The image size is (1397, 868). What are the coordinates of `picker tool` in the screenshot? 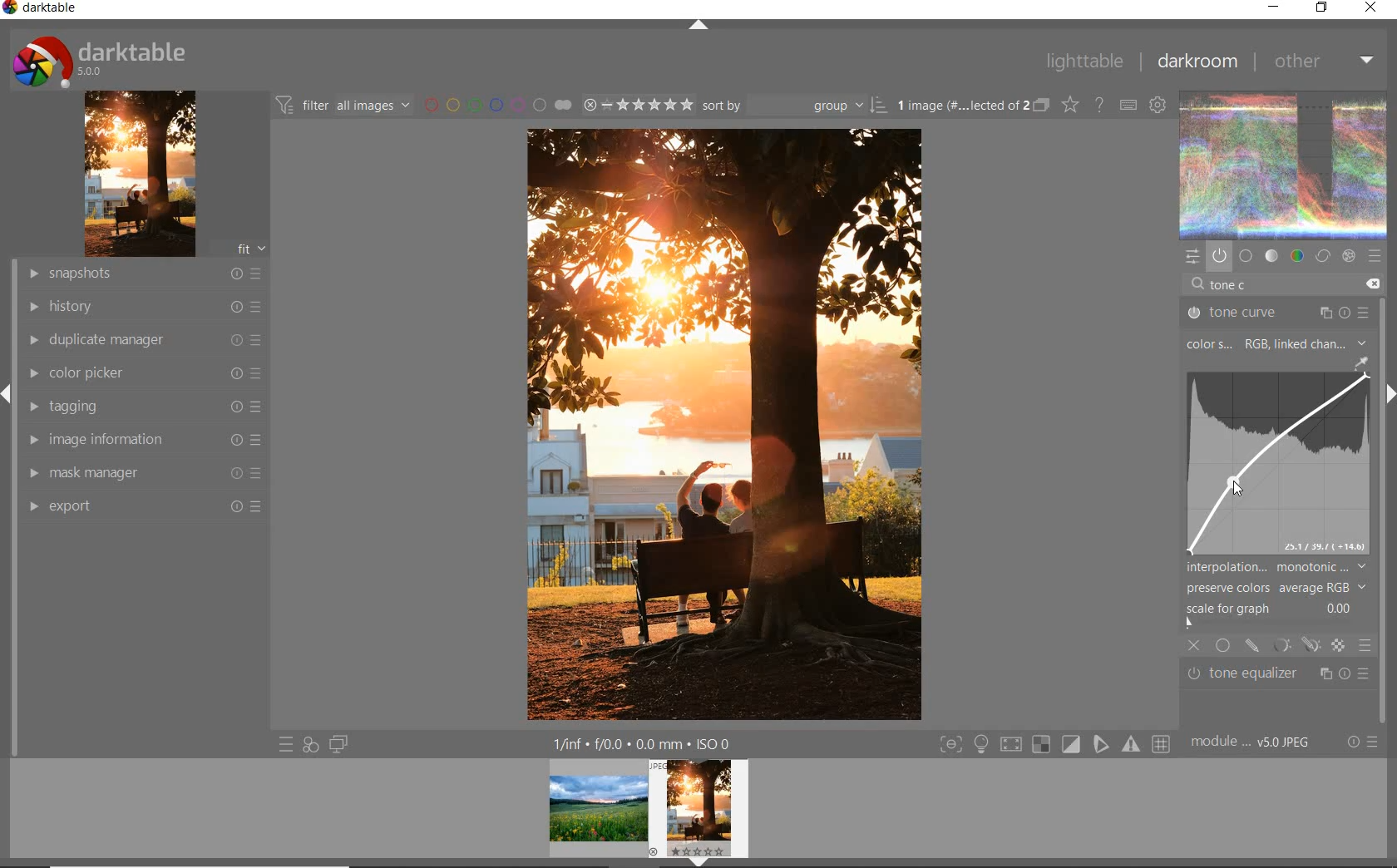 It's located at (1361, 364).